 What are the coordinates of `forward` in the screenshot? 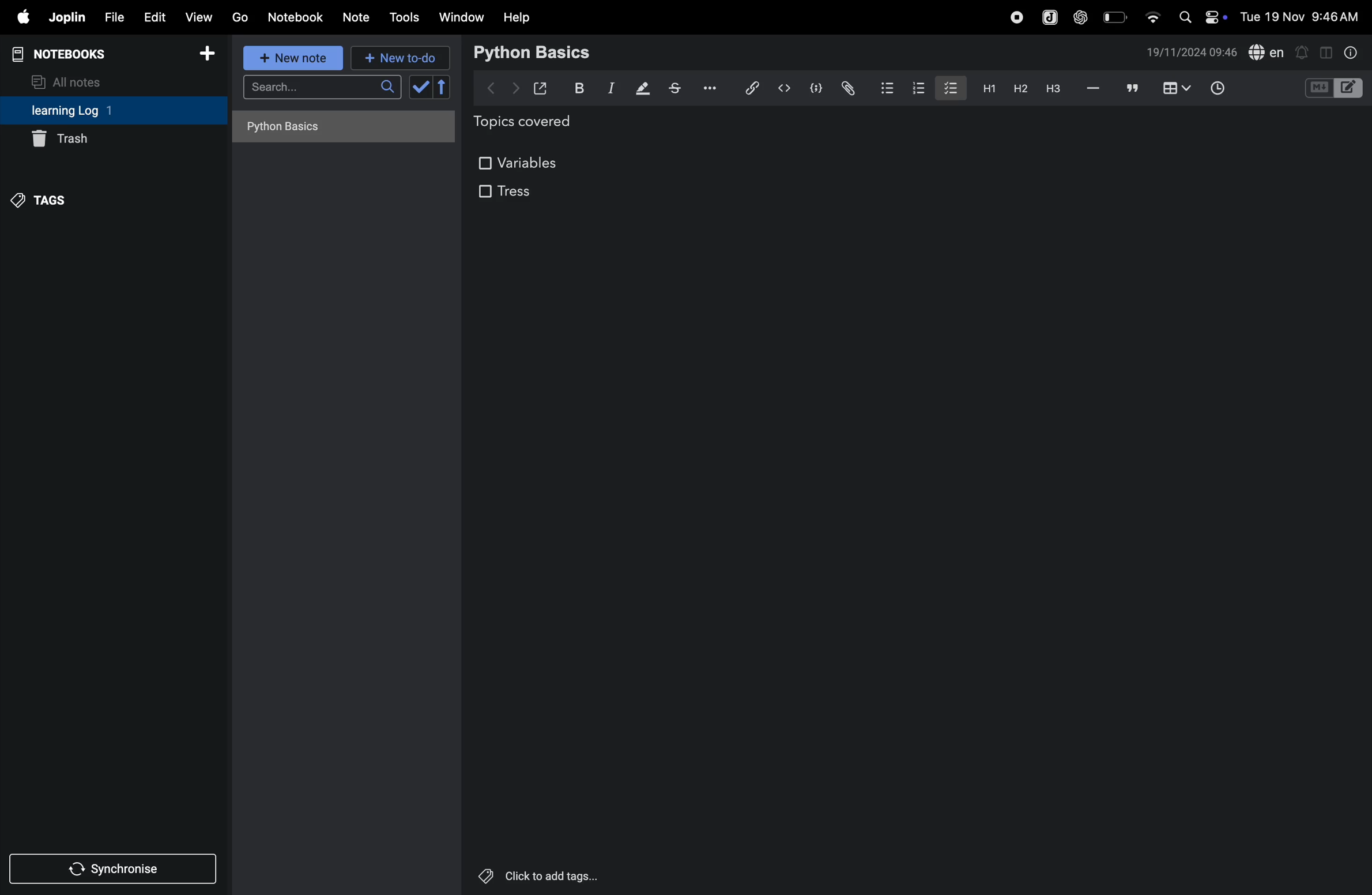 It's located at (515, 88).